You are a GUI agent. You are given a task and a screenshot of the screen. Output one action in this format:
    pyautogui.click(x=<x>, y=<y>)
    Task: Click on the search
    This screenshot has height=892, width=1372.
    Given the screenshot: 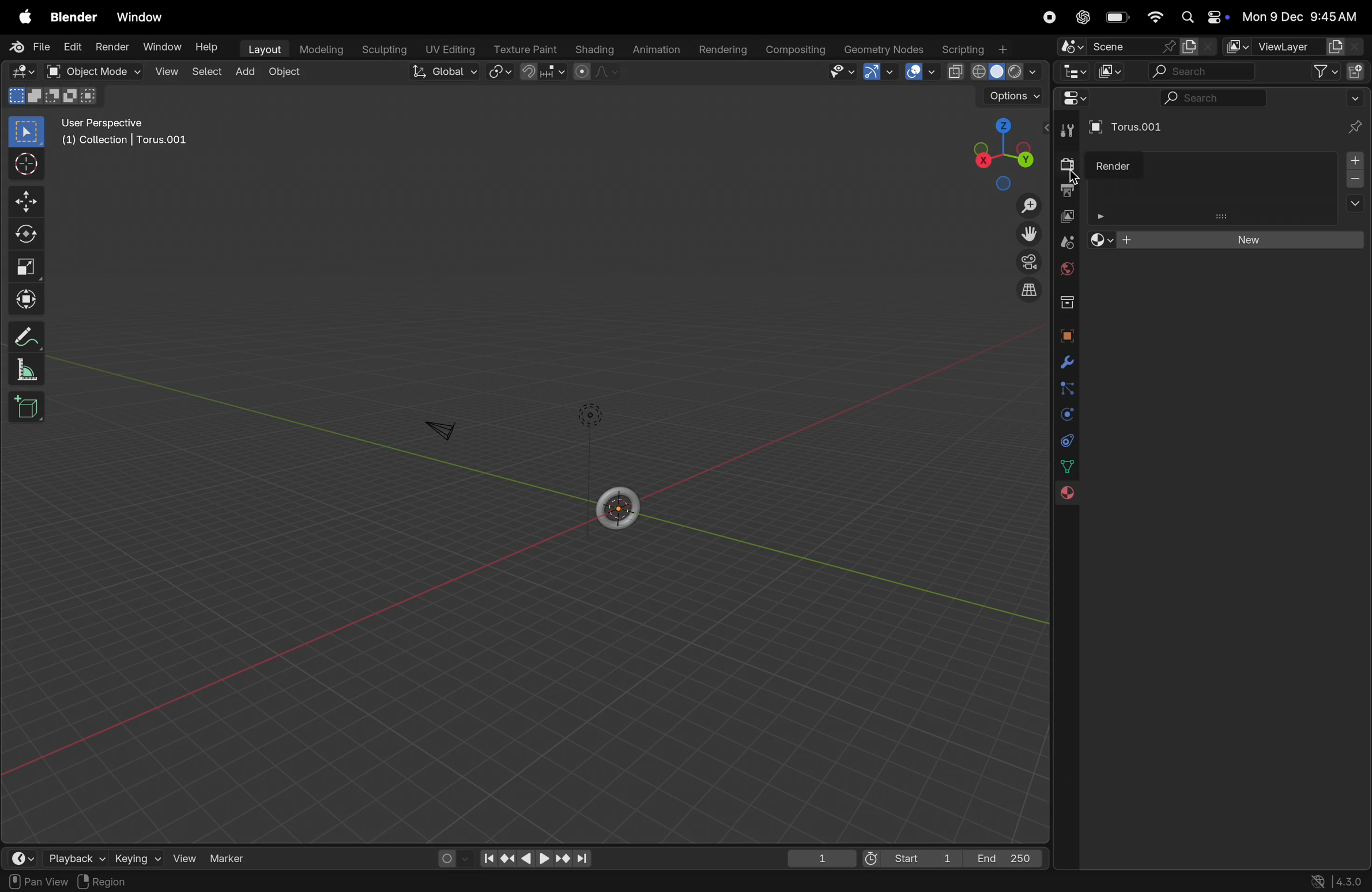 What is the action you would take?
    pyautogui.click(x=1210, y=98)
    